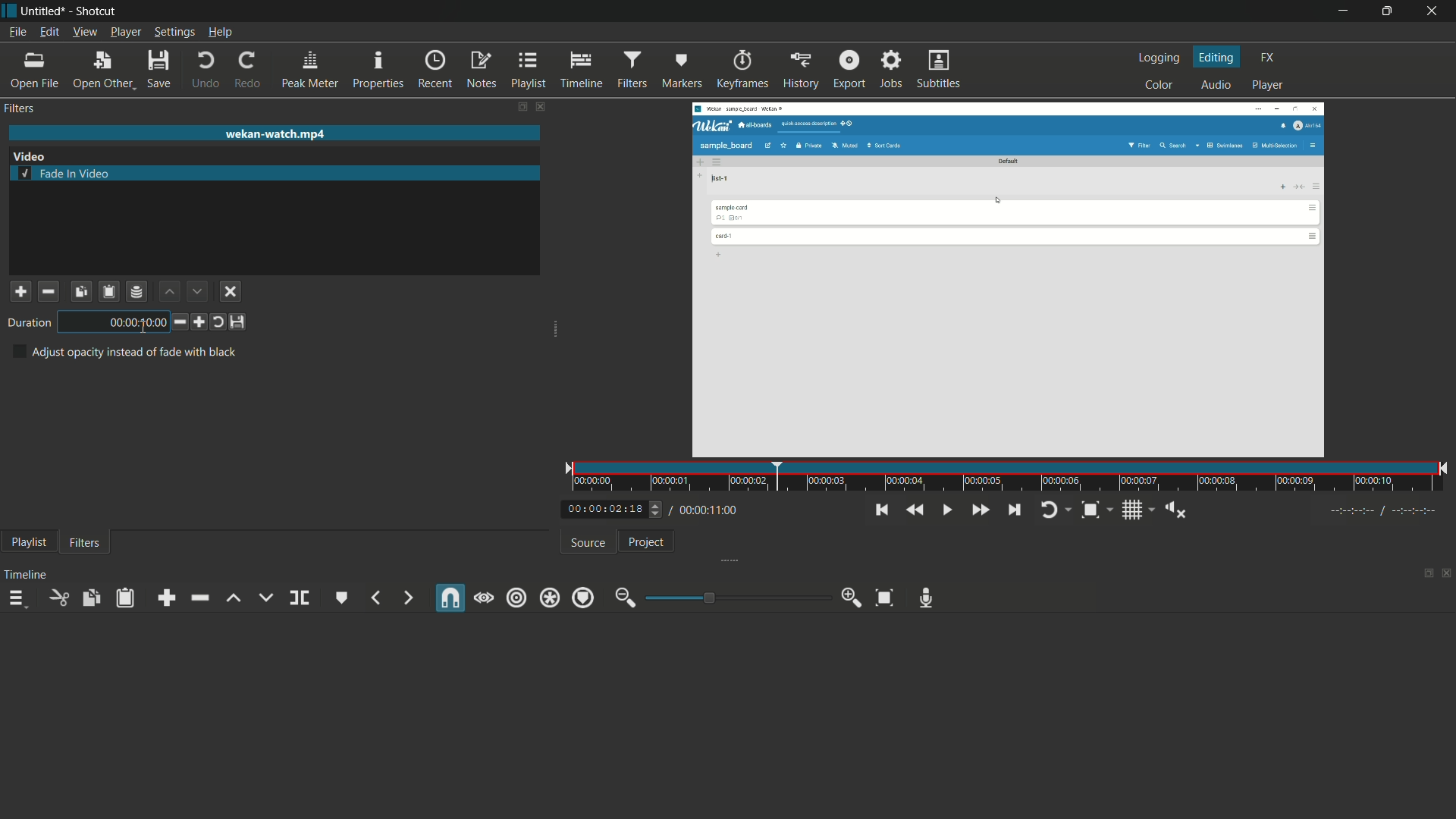 This screenshot has height=819, width=1456. What do you see at coordinates (234, 598) in the screenshot?
I see `lift` at bounding box center [234, 598].